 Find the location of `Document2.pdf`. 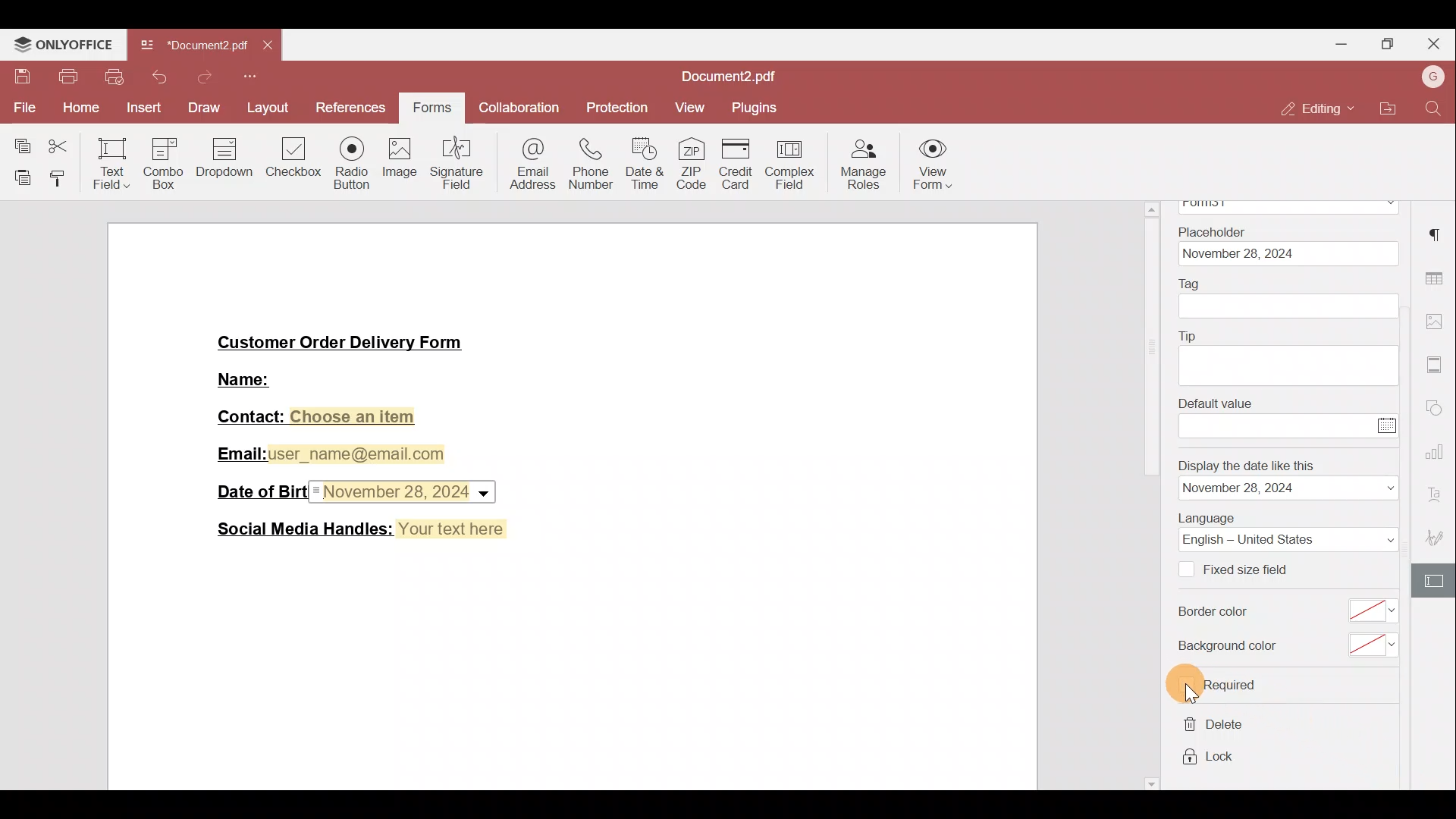

Document2.pdf is located at coordinates (193, 45).